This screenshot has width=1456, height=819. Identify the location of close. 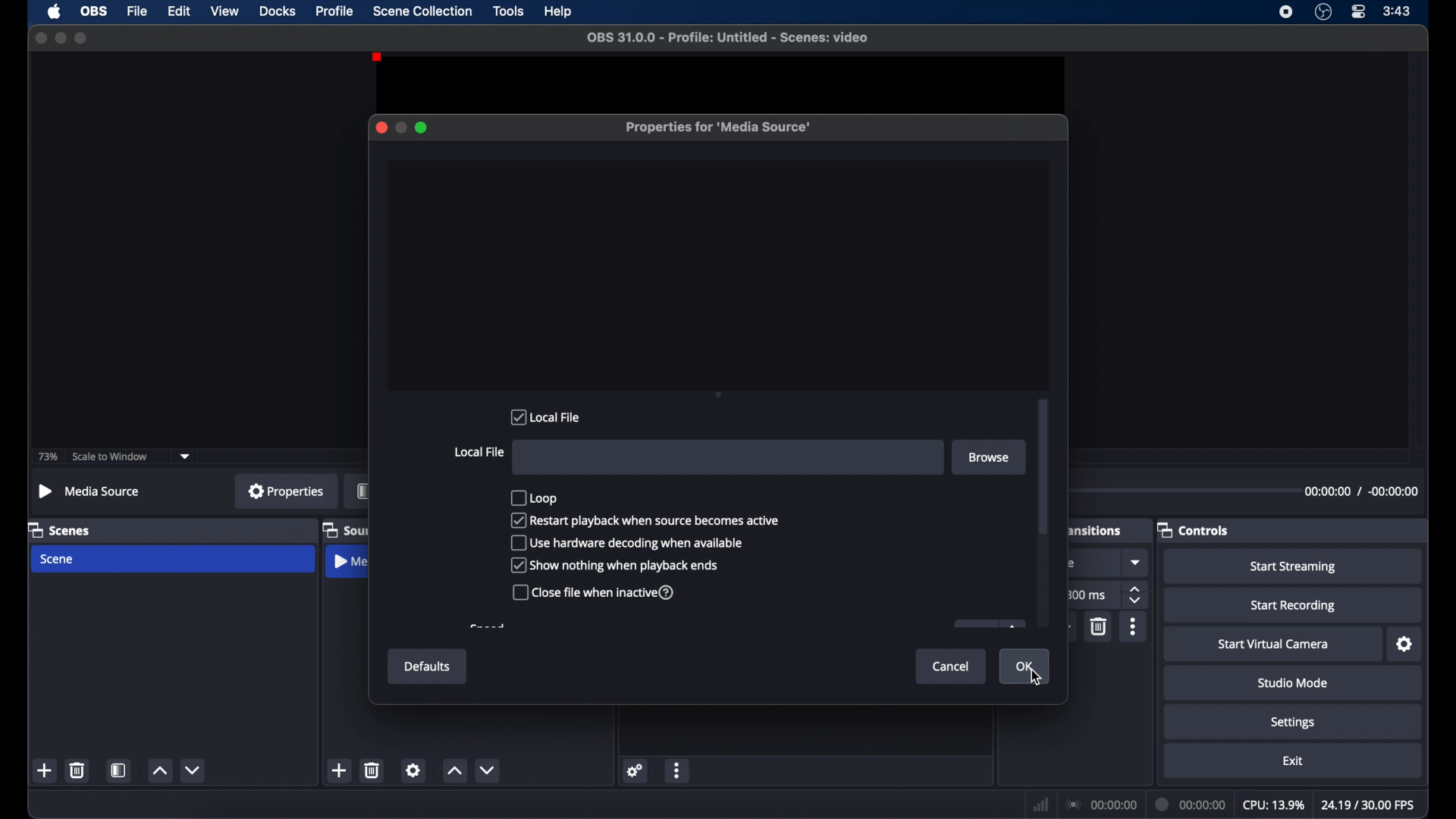
(41, 38).